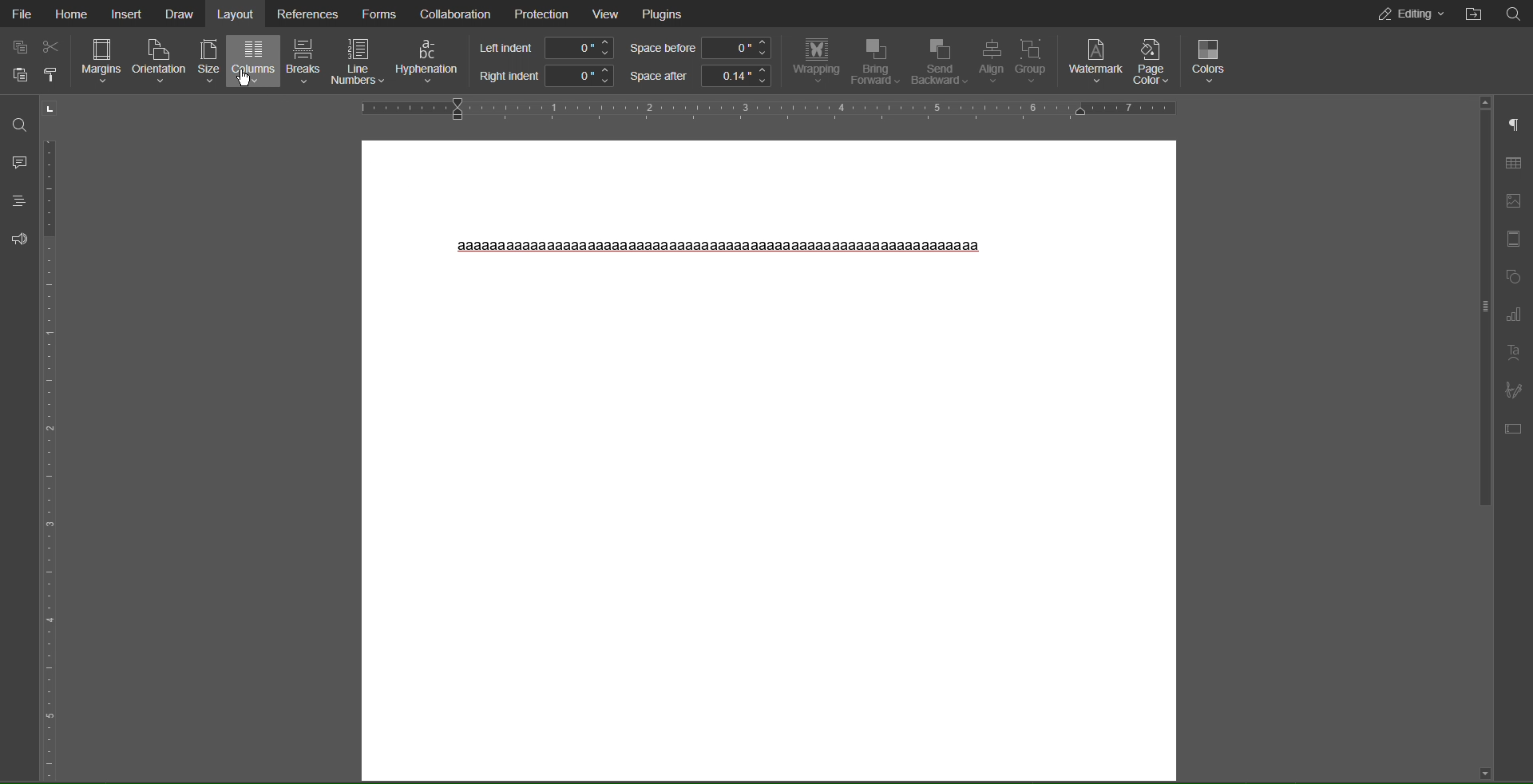 This screenshot has width=1533, height=784. I want to click on Colors, so click(1211, 59).